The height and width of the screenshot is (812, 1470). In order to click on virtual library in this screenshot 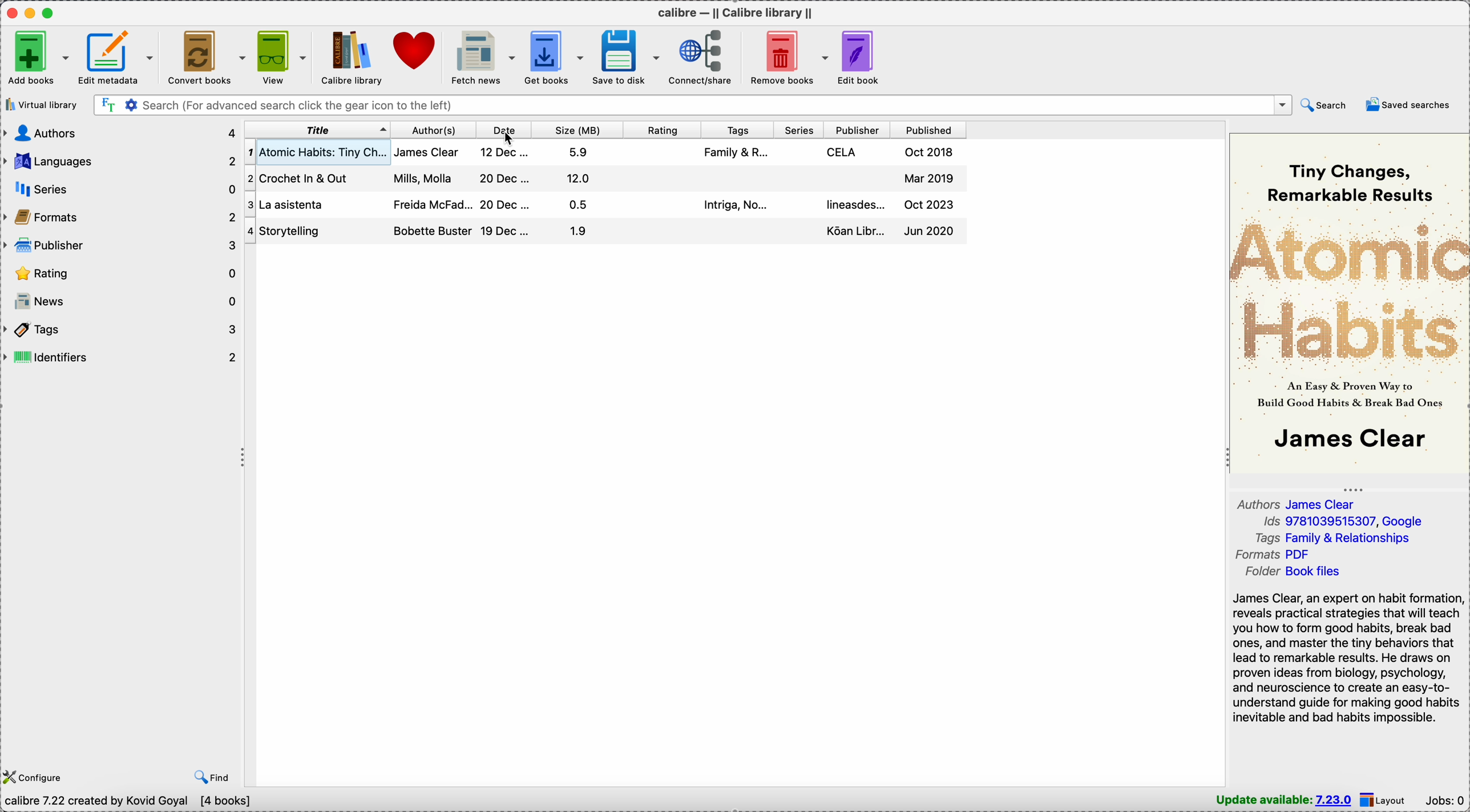, I will do `click(41, 106)`.